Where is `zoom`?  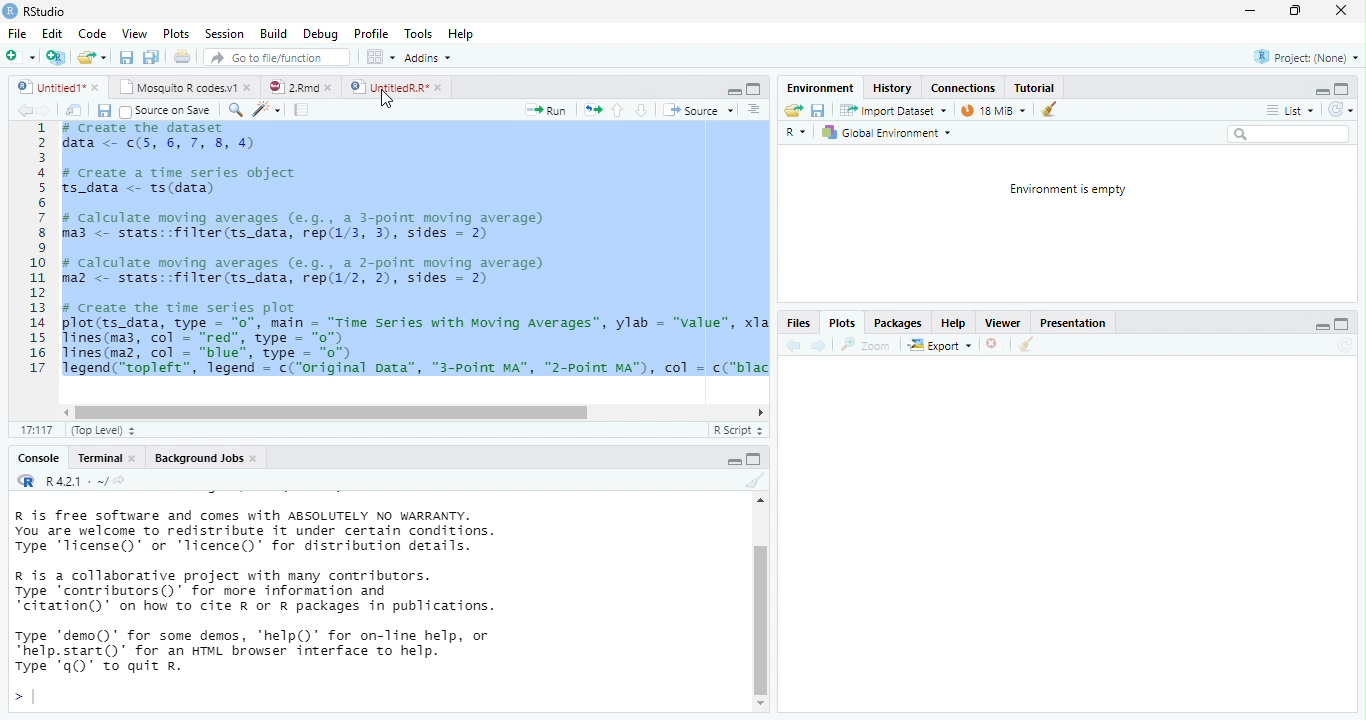
zoom is located at coordinates (869, 345).